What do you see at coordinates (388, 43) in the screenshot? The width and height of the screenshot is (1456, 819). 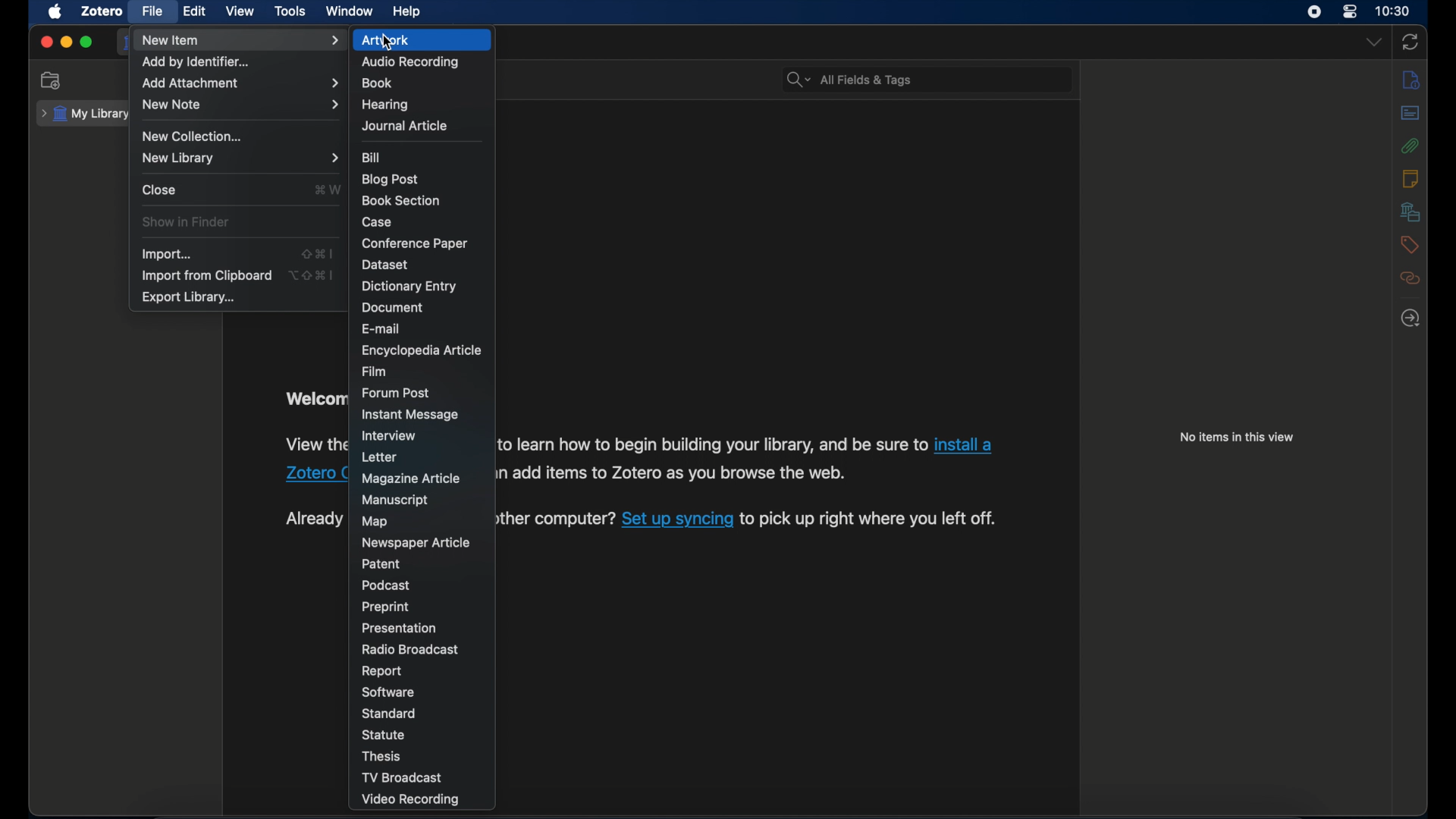 I see `cursor` at bounding box center [388, 43].